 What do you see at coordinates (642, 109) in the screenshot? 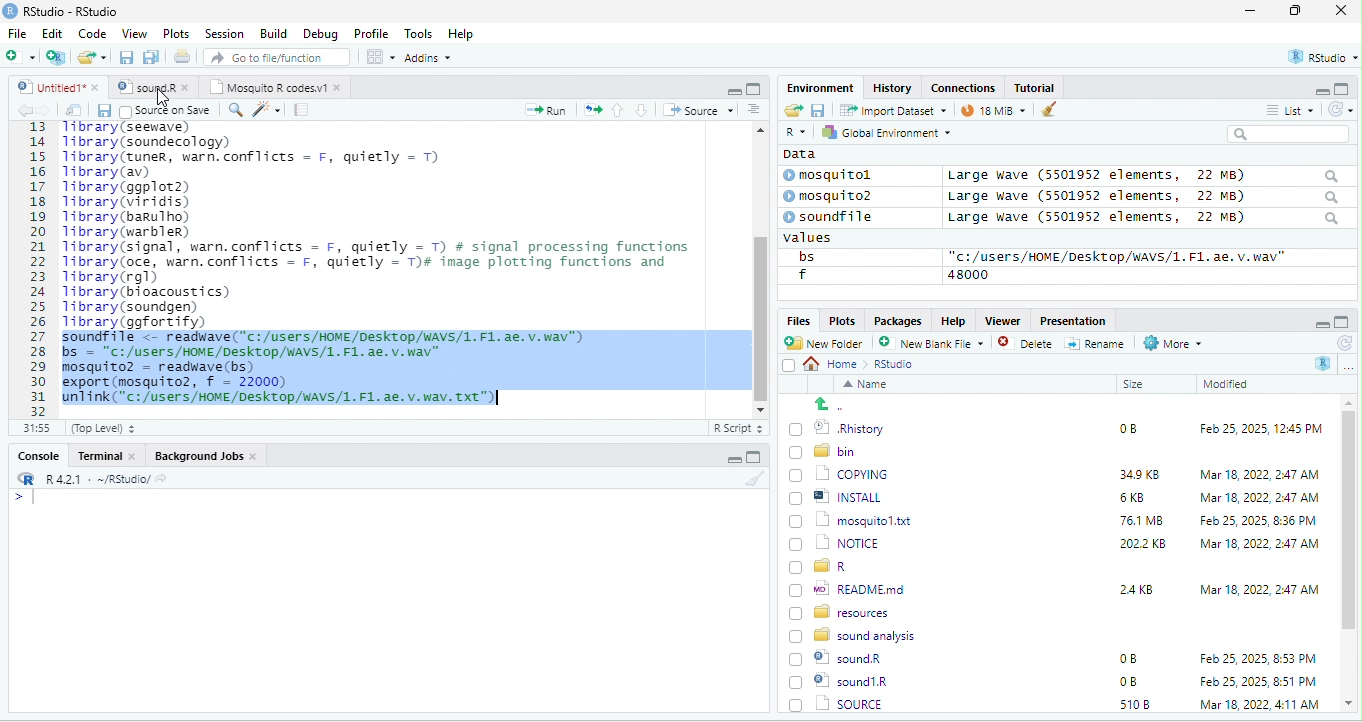
I see `down` at bounding box center [642, 109].